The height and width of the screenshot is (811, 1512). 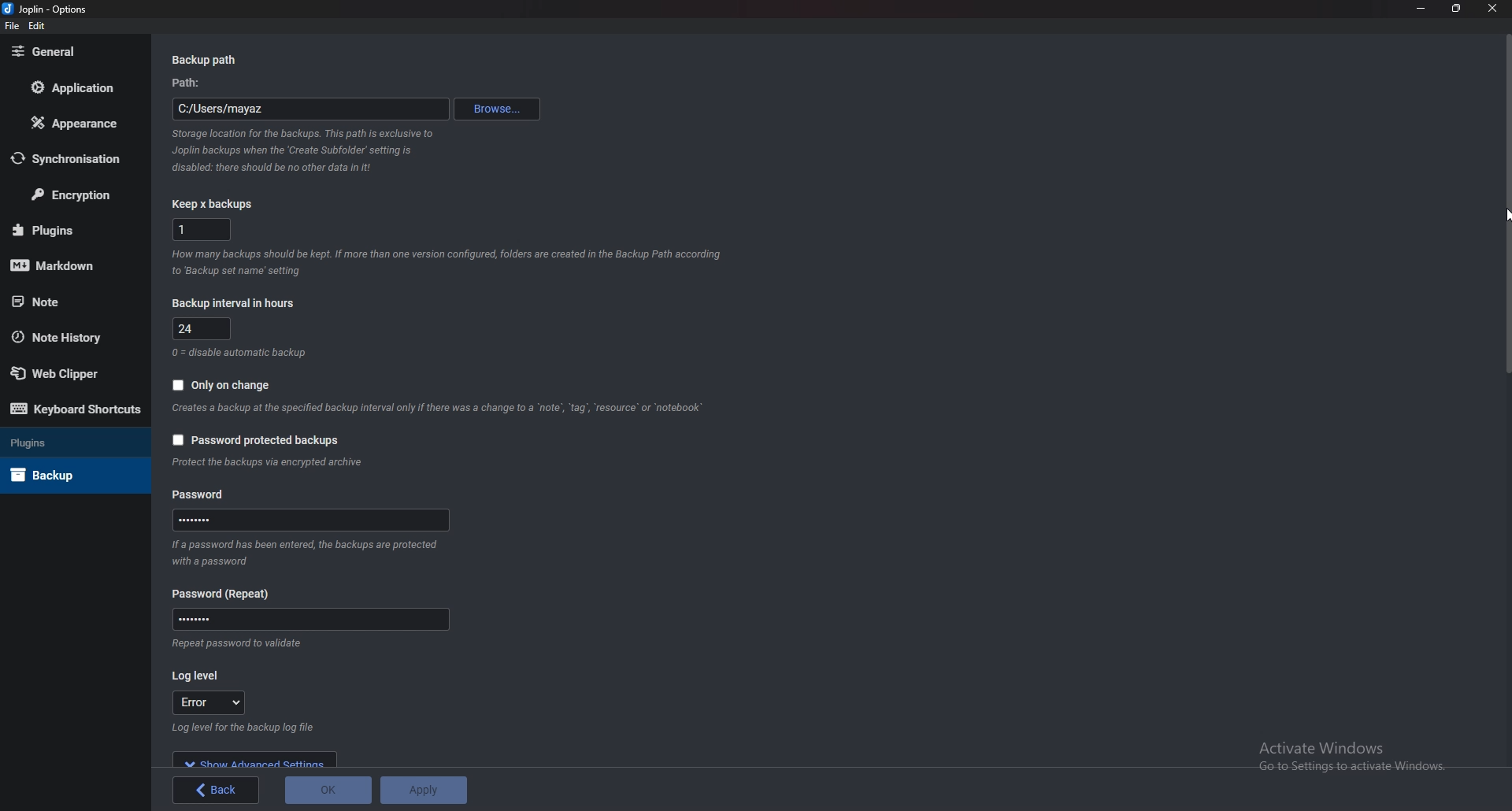 I want to click on Note history, so click(x=67, y=339).